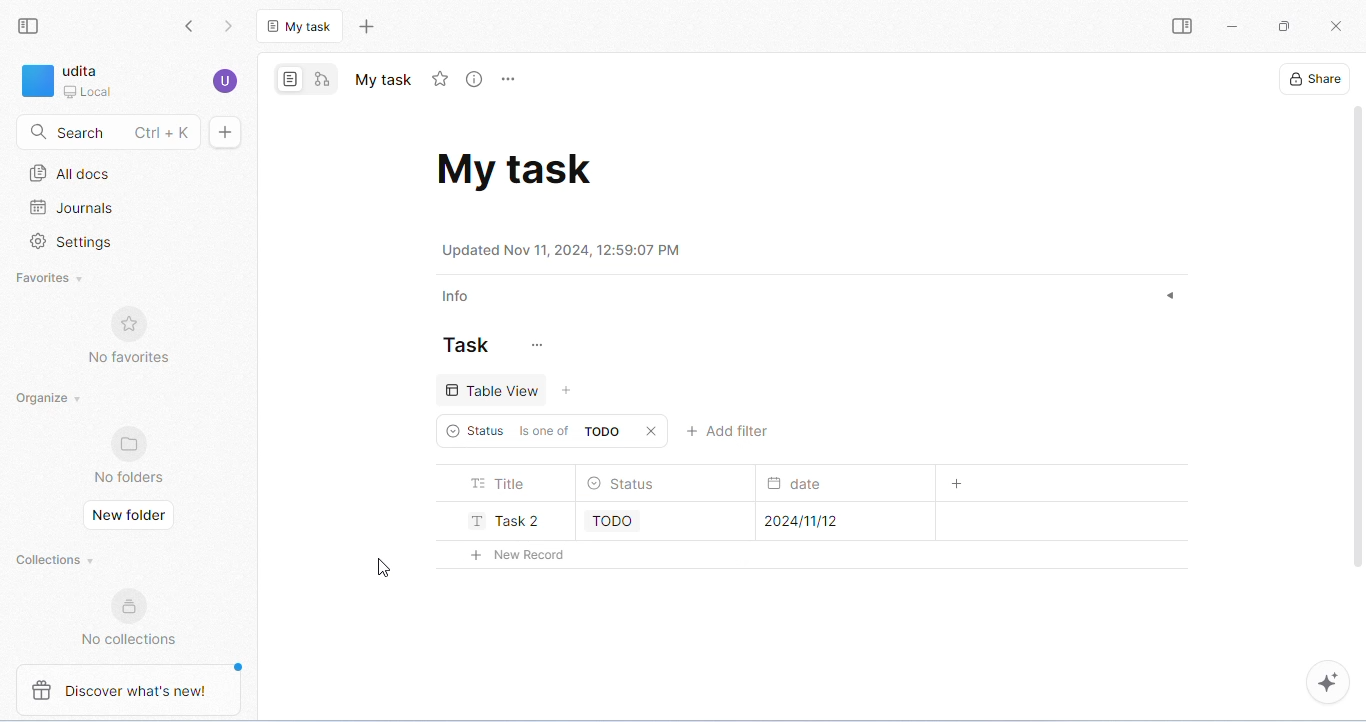  Describe the element at coordinates (190, 27) in the screenshot. I see `go back` at that location.